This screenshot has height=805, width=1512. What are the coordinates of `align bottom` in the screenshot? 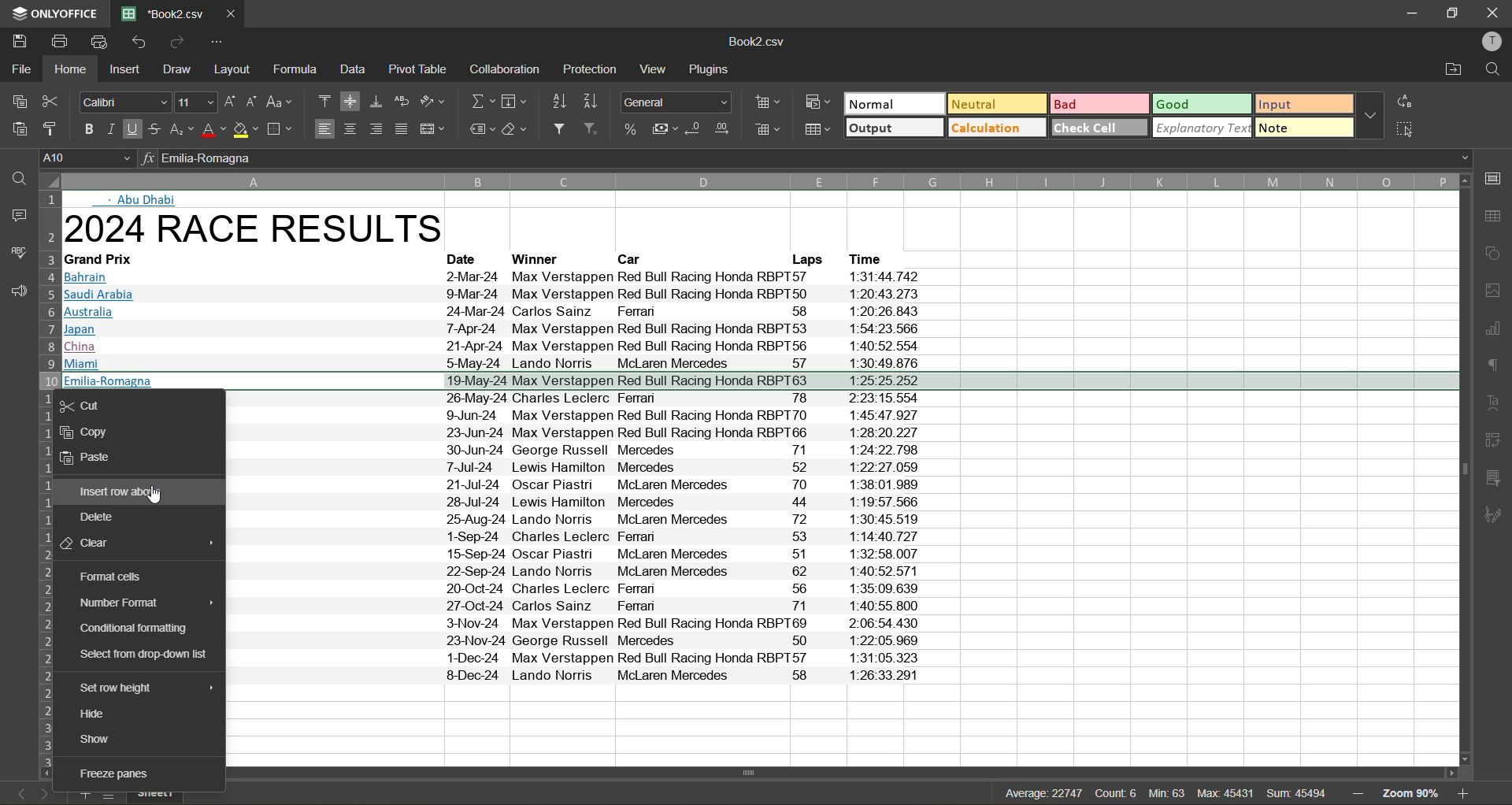 It's located at (375, 102).